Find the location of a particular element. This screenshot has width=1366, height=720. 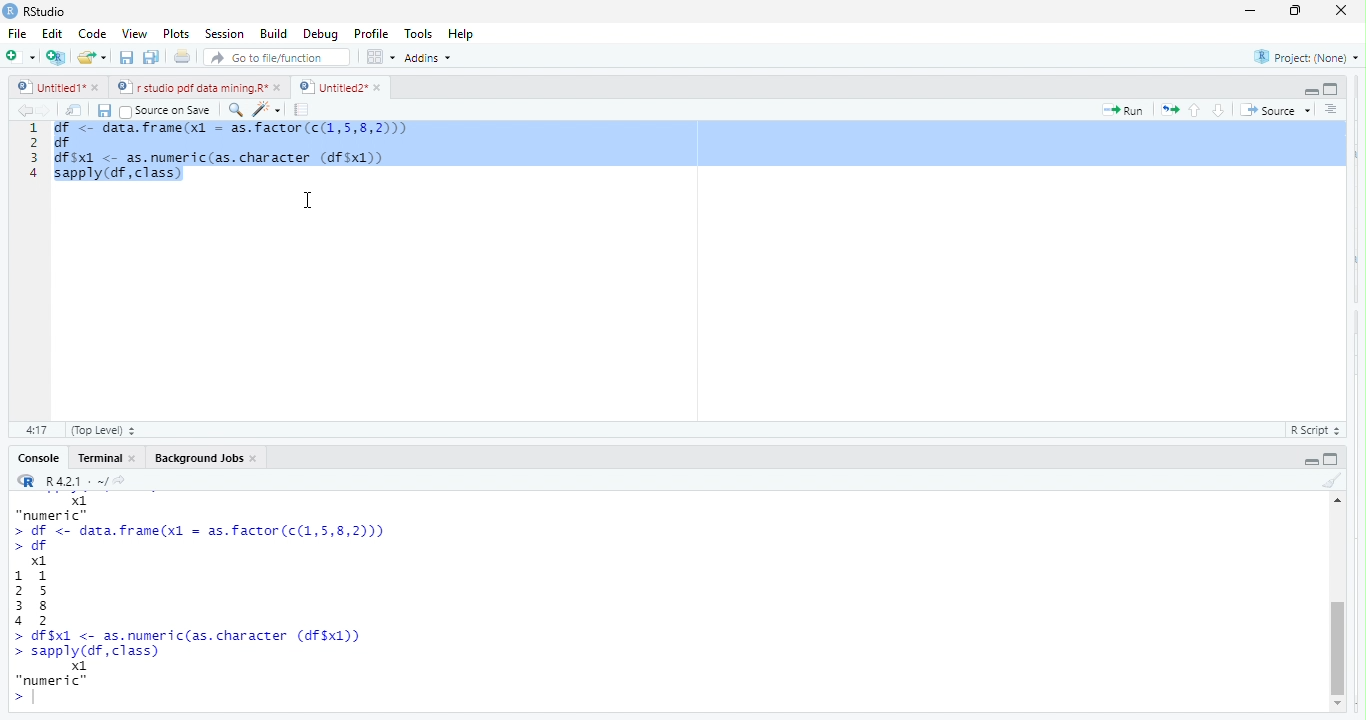

close is located at coordinates (101, 87).